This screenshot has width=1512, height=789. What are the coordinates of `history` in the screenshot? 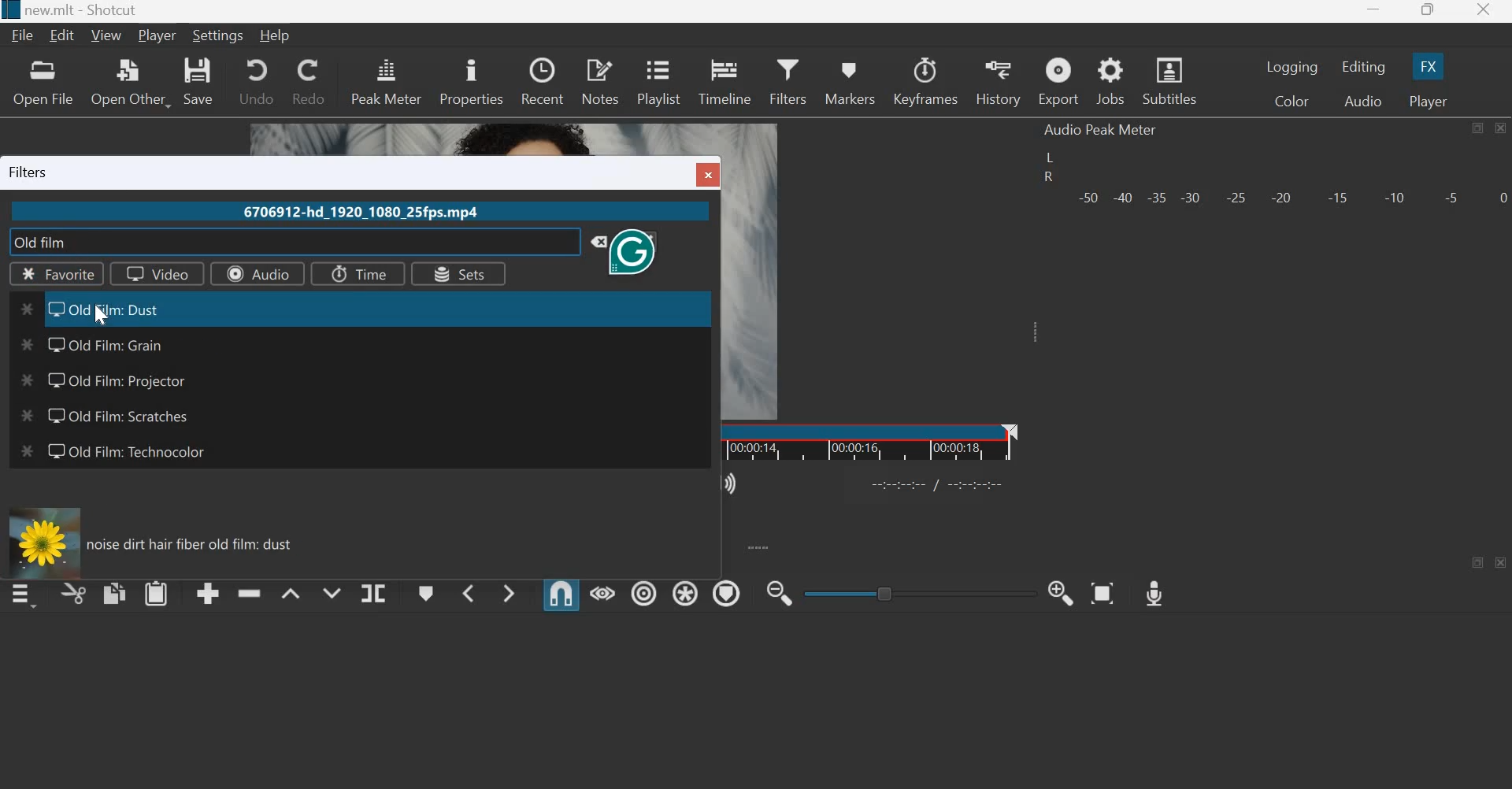 It's located at (997, 82).